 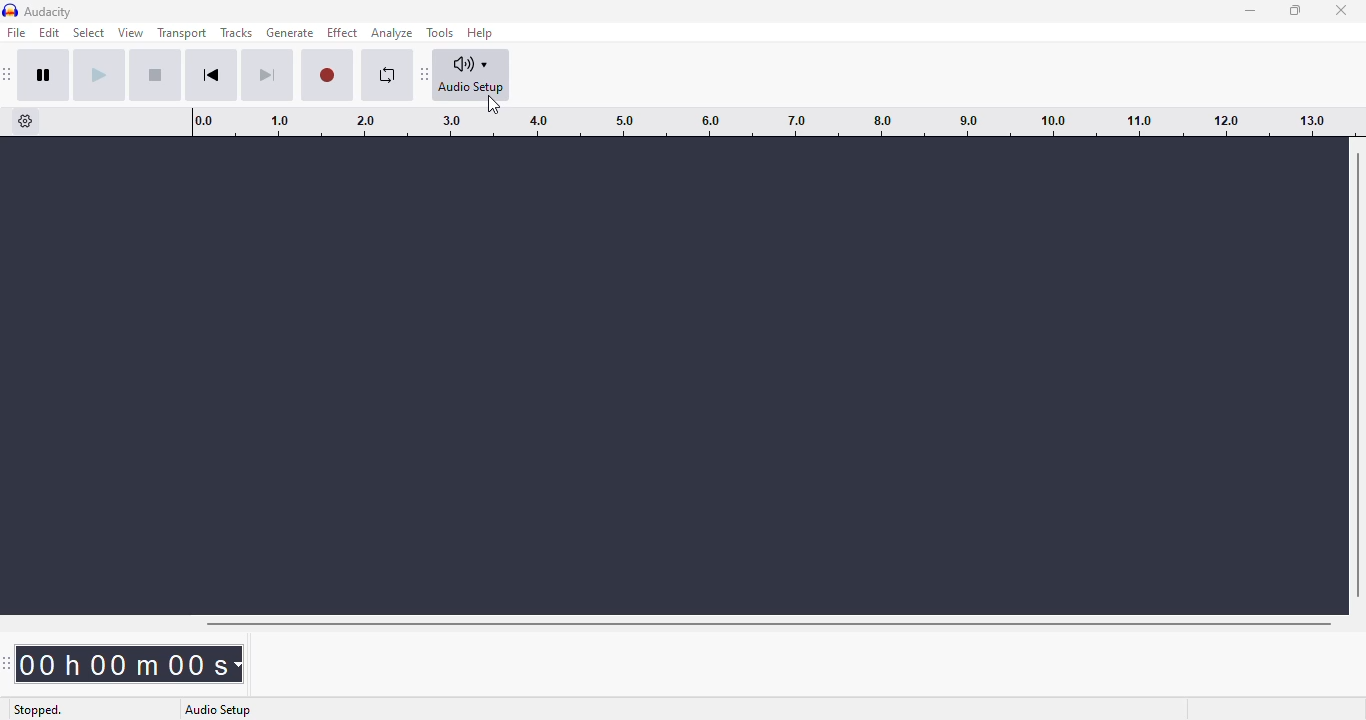 What do you see at coordinates (17, 32) in the screenshot?
I see `file` at bounding box center [17, 32].